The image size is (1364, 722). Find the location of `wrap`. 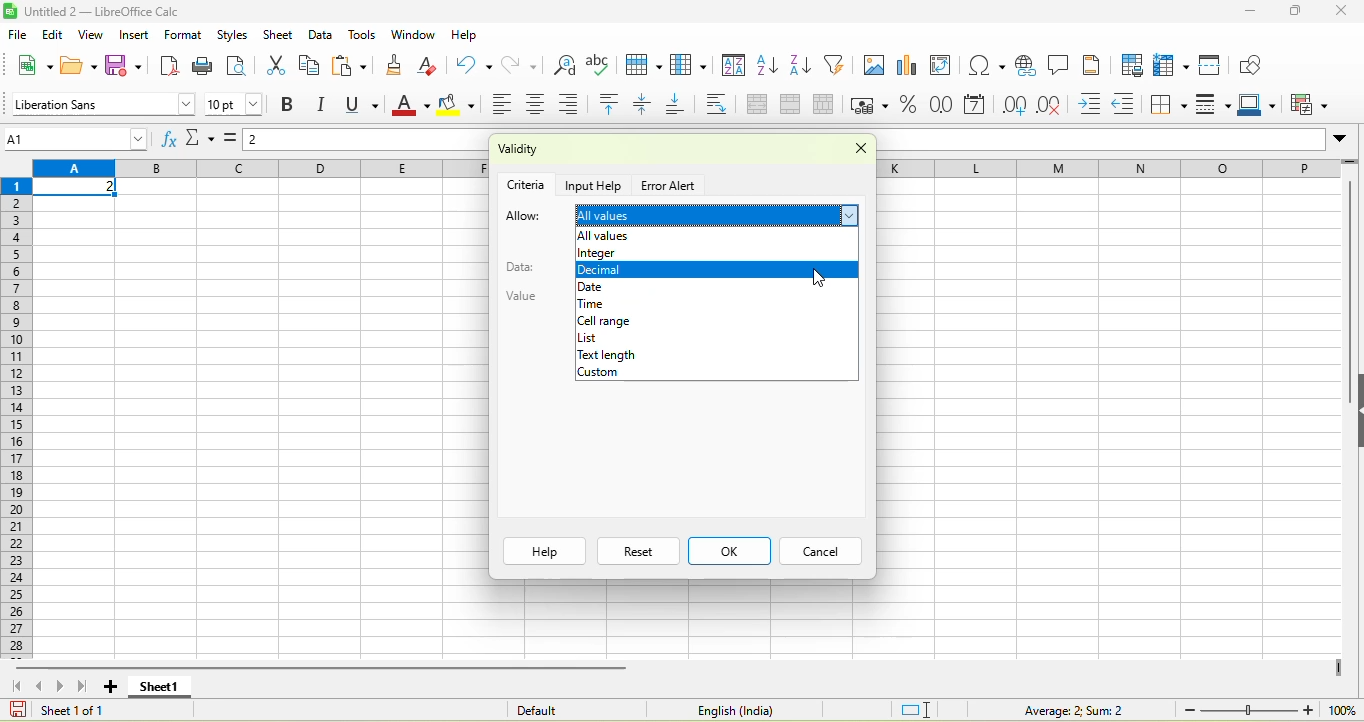

wrap is located at coordinates (723, 105).